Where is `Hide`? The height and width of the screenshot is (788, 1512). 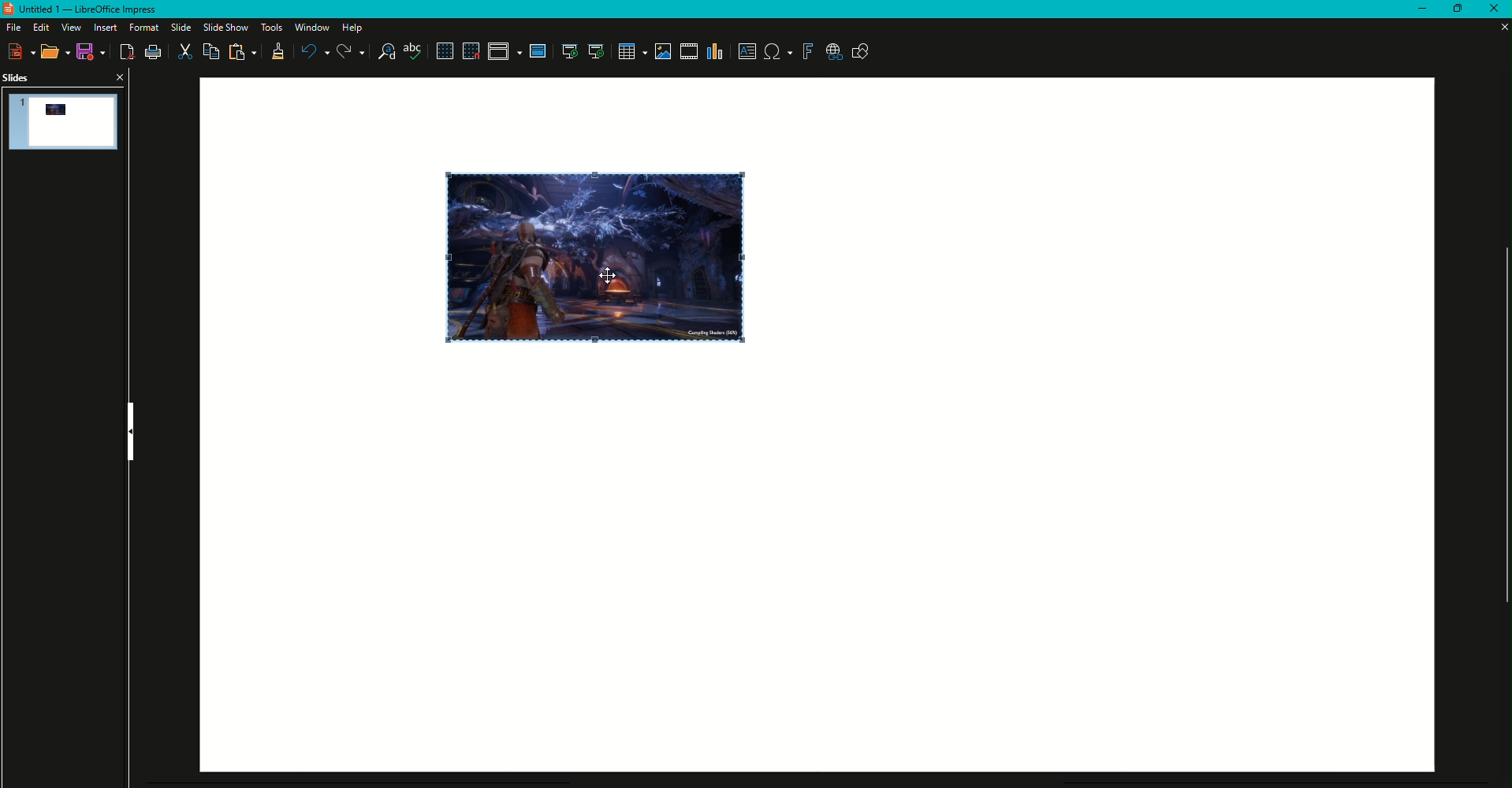
Hide is located at coordinates (127, 433).